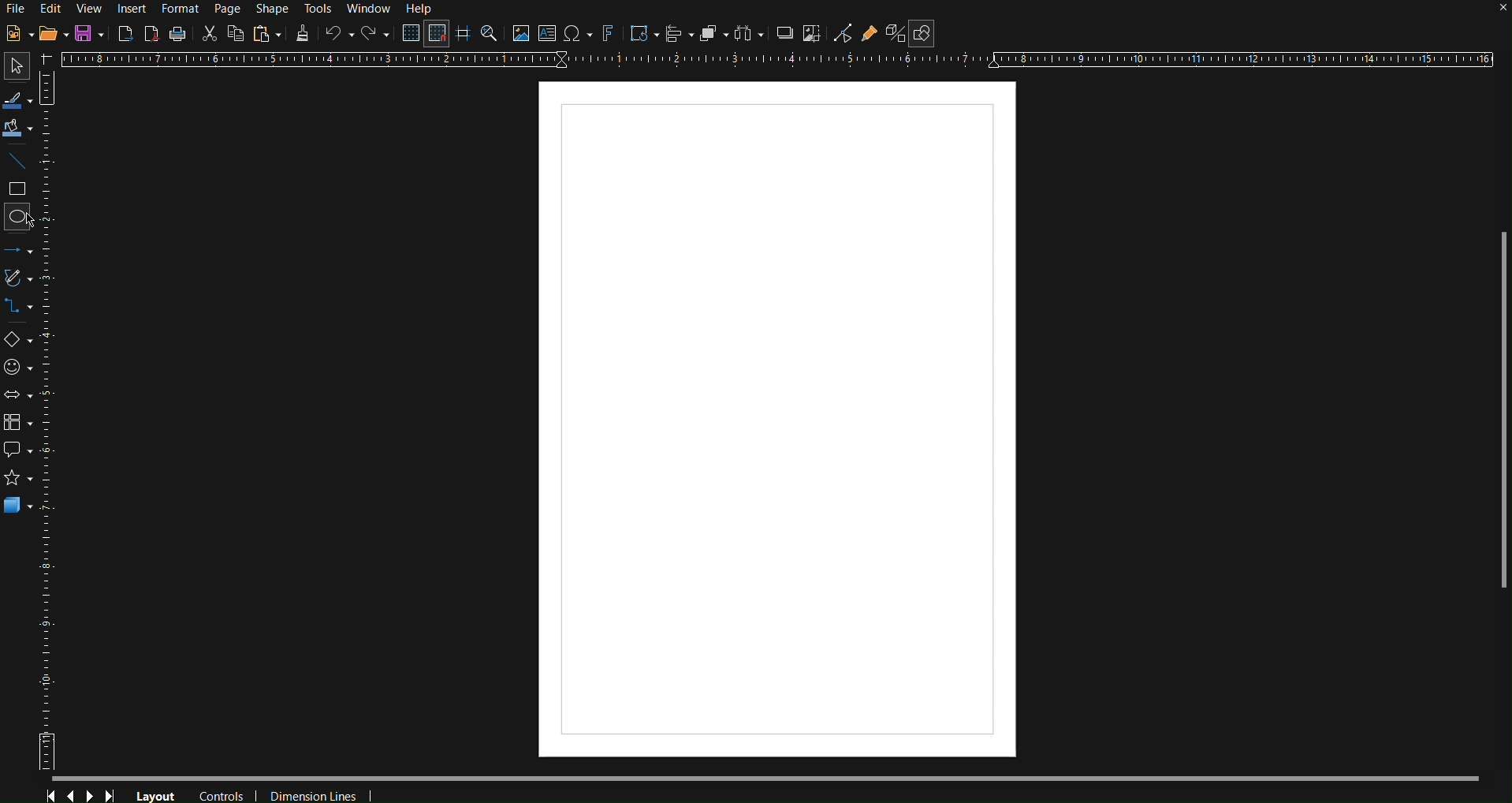  I want to click on Copy, so click(236, 33).